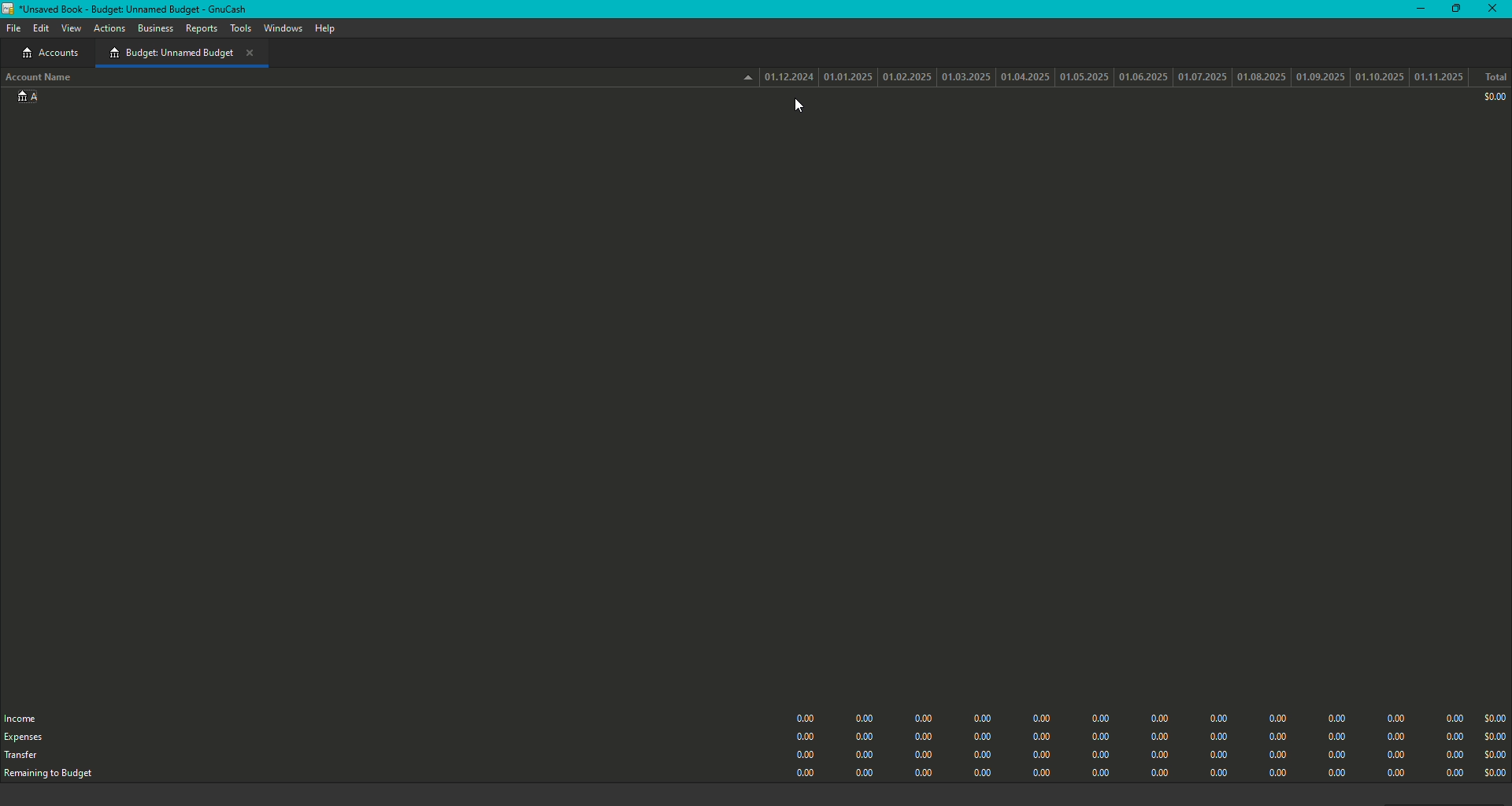 The height and width of the screenshot is (806, 1512). Describe the element at coordinates (240, 28) in the screenshot. I see `Tools` at that location.